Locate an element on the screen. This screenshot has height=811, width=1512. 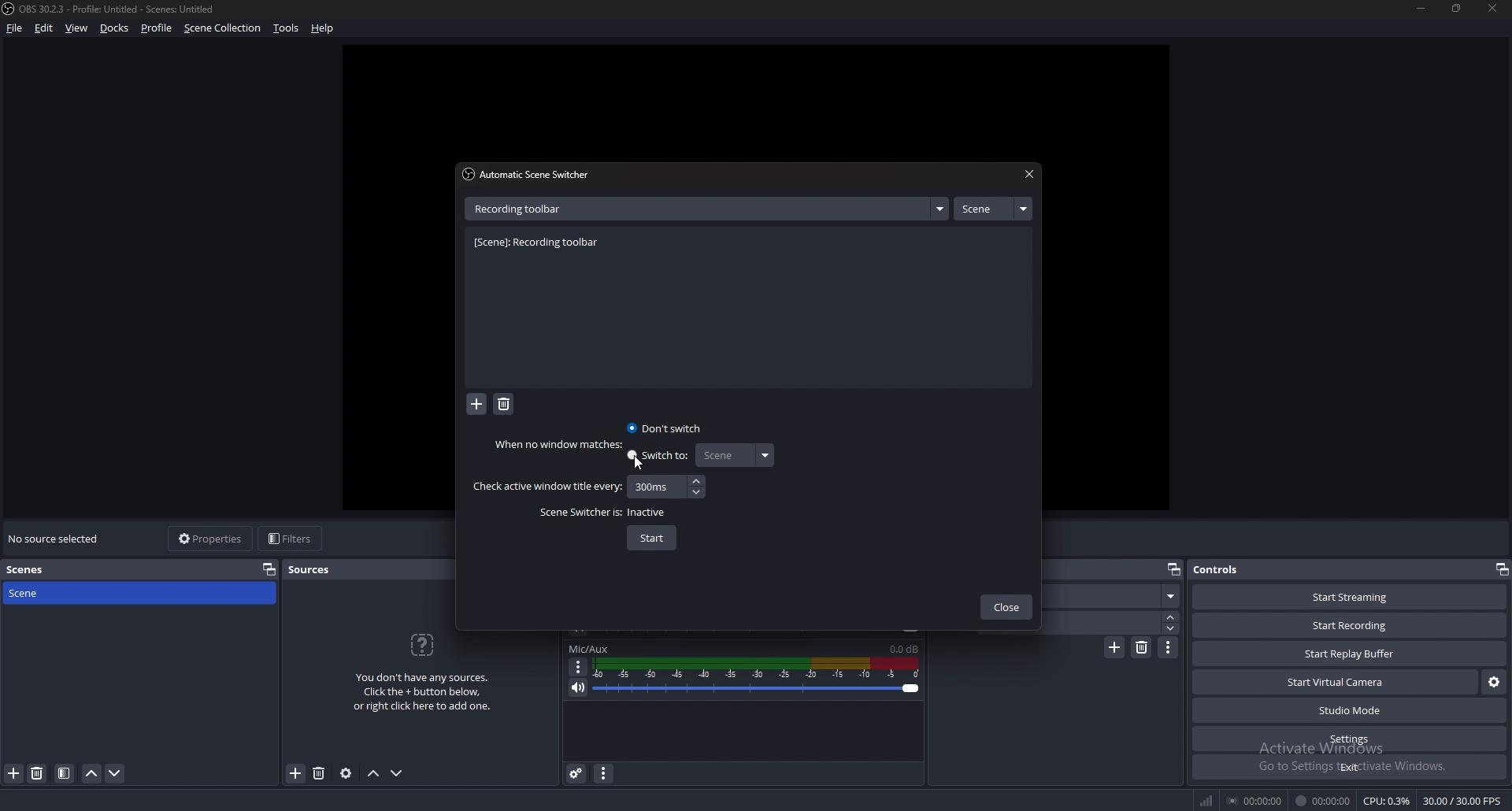
profile is located at coordinates (157, 28).